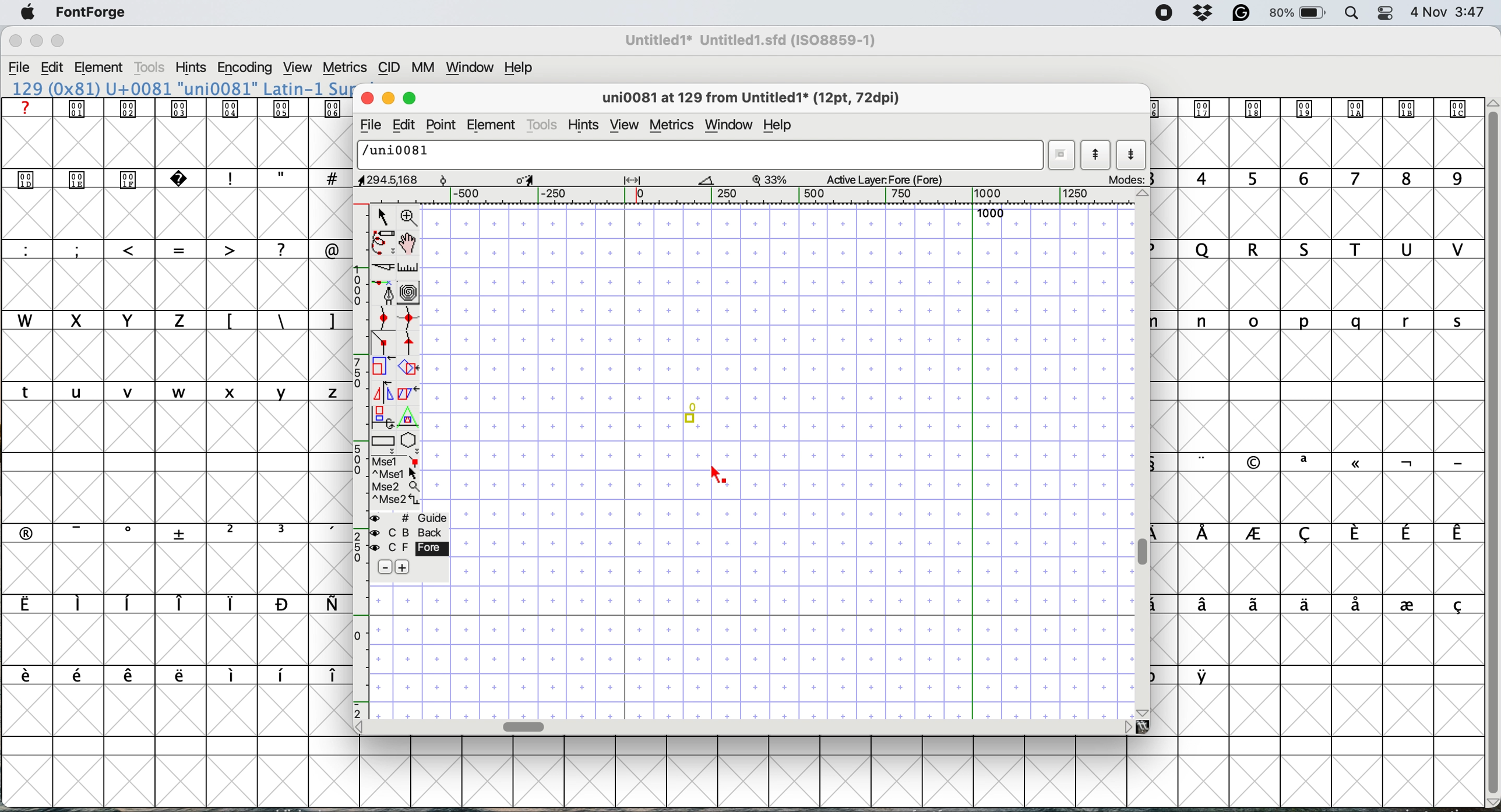 This screenshot has width=1501, height=812. Describe the element at coordinates (372, 124) in the screenshot. I see `file` at that location.